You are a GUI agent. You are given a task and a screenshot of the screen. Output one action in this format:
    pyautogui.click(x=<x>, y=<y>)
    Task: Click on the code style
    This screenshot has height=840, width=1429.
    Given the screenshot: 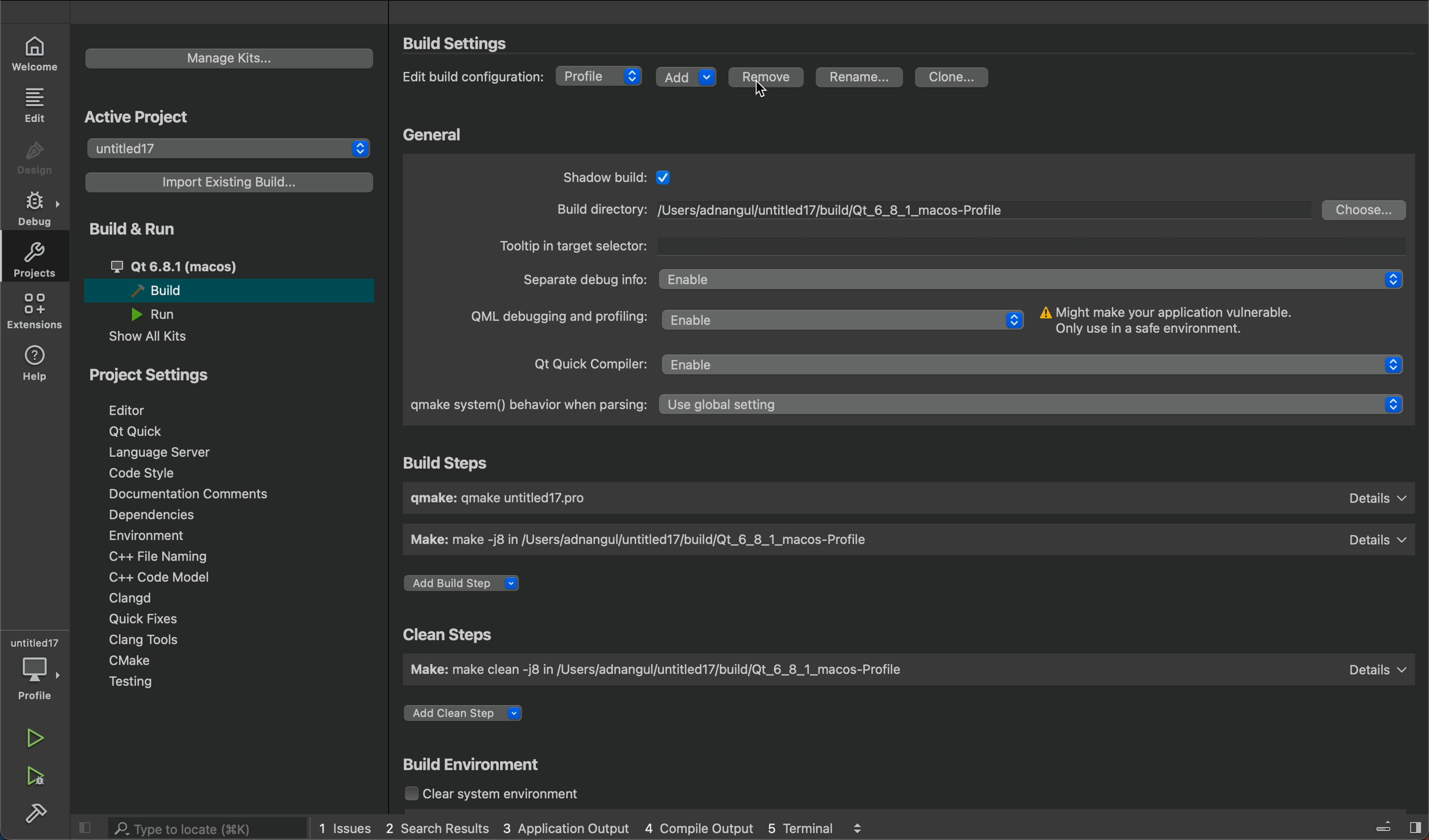 What is the action you would take?
    pyautogui.click(x=151, y=475)
    